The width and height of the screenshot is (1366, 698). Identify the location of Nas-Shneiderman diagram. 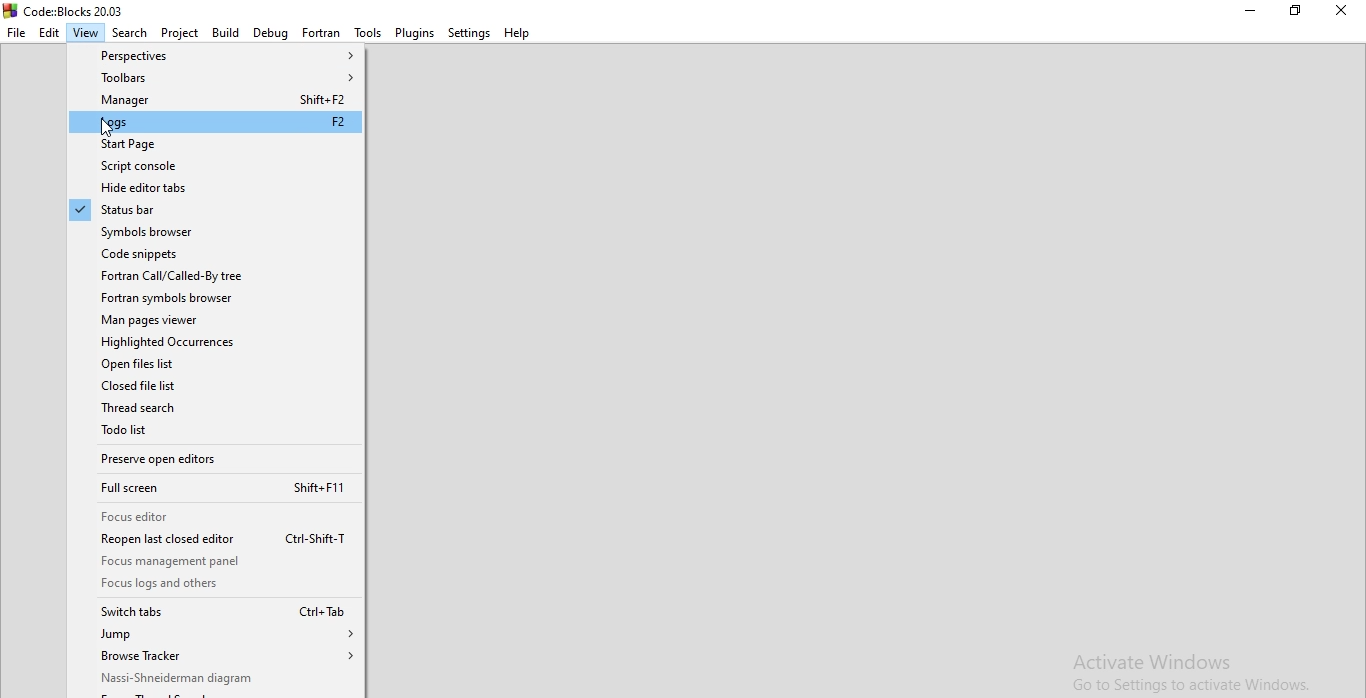
(218, 679).